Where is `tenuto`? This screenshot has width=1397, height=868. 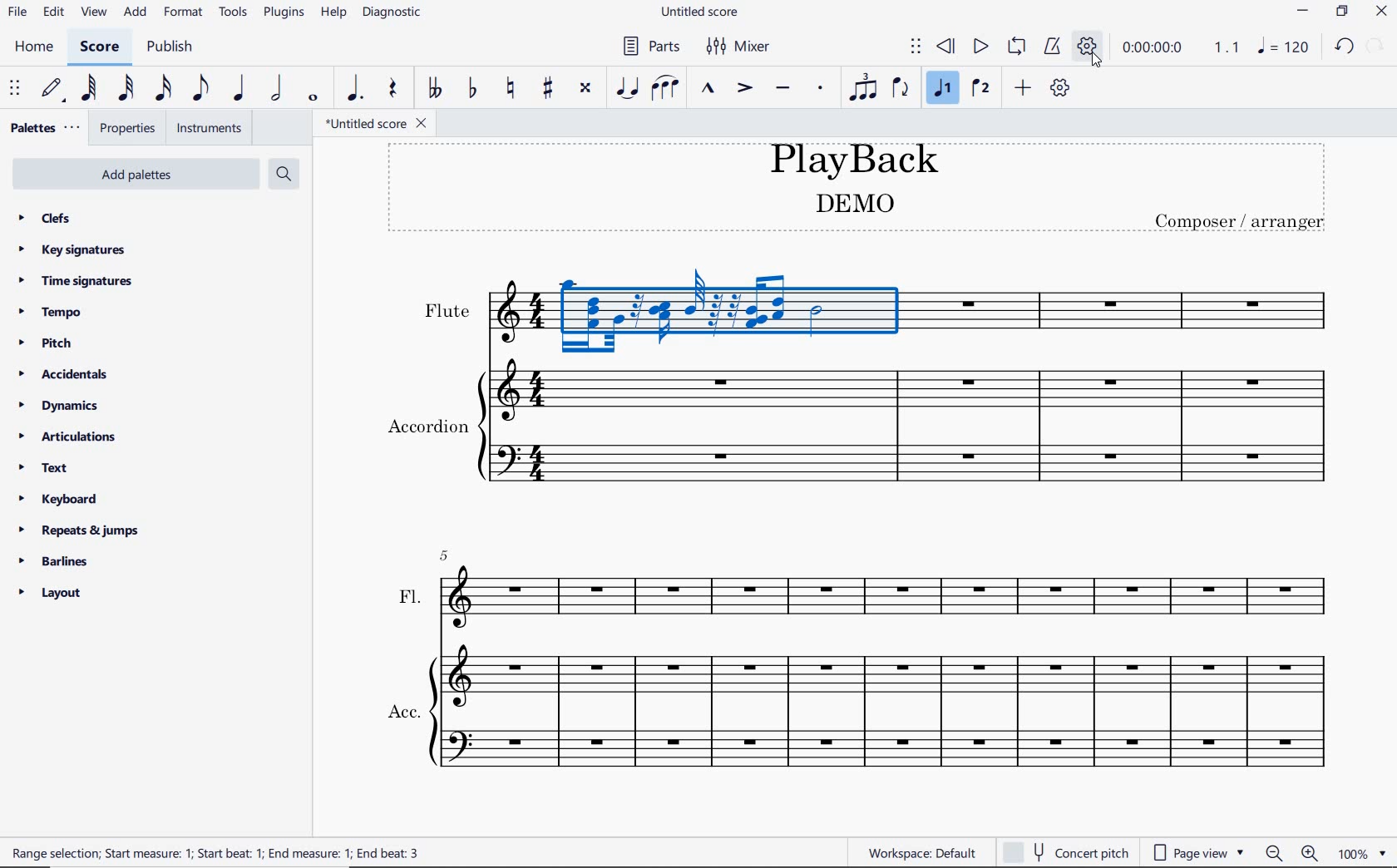
tenuto is located at coordinates (782, 89).